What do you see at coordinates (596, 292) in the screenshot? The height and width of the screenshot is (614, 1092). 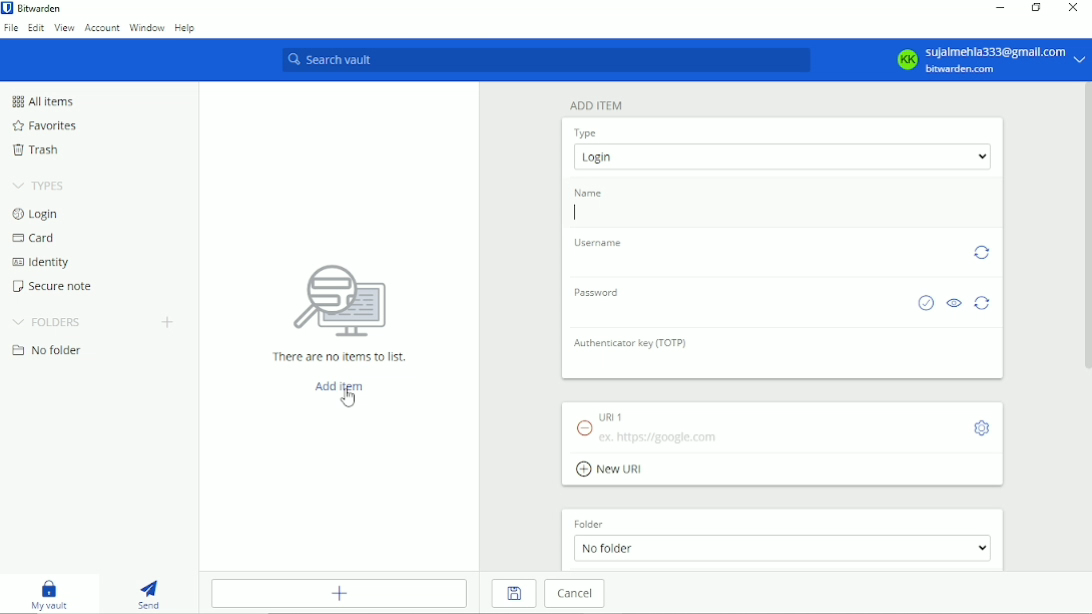 I see `Password` at bounding box center [596, 292].